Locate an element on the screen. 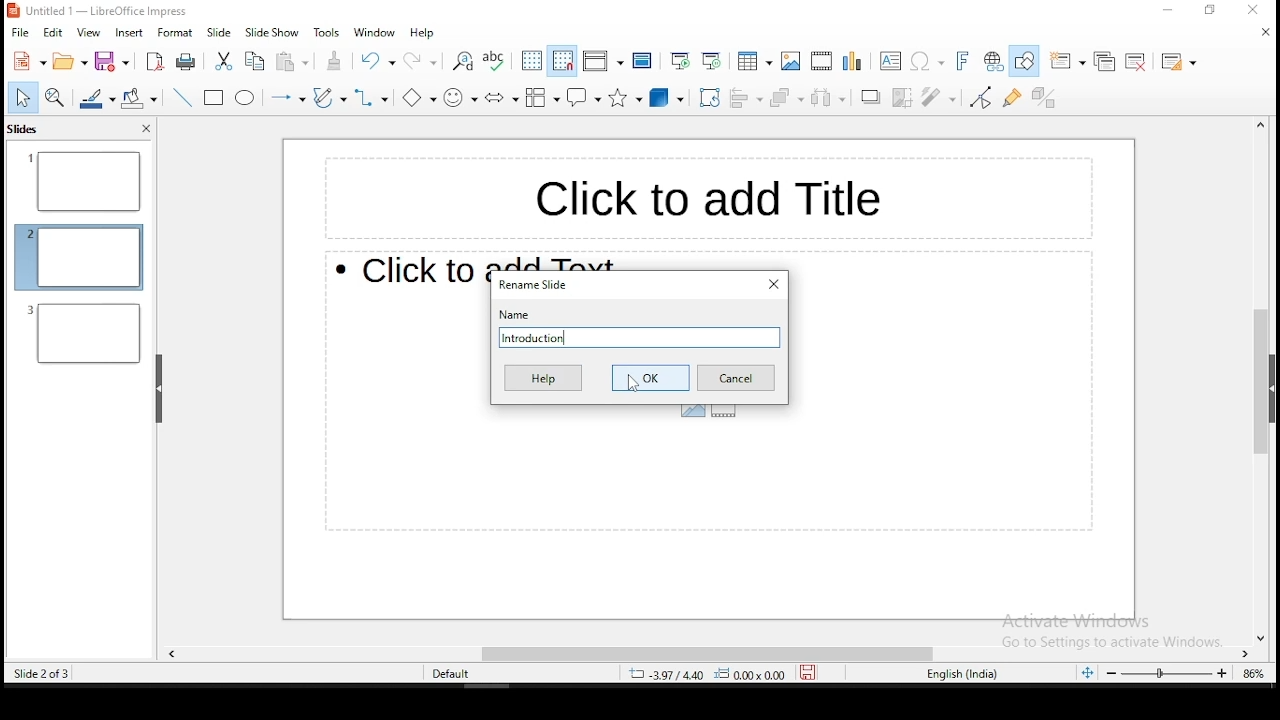 Image resolution: width=1280 pixels, height=720 pixels. slide is located at coordinates (219, 33).